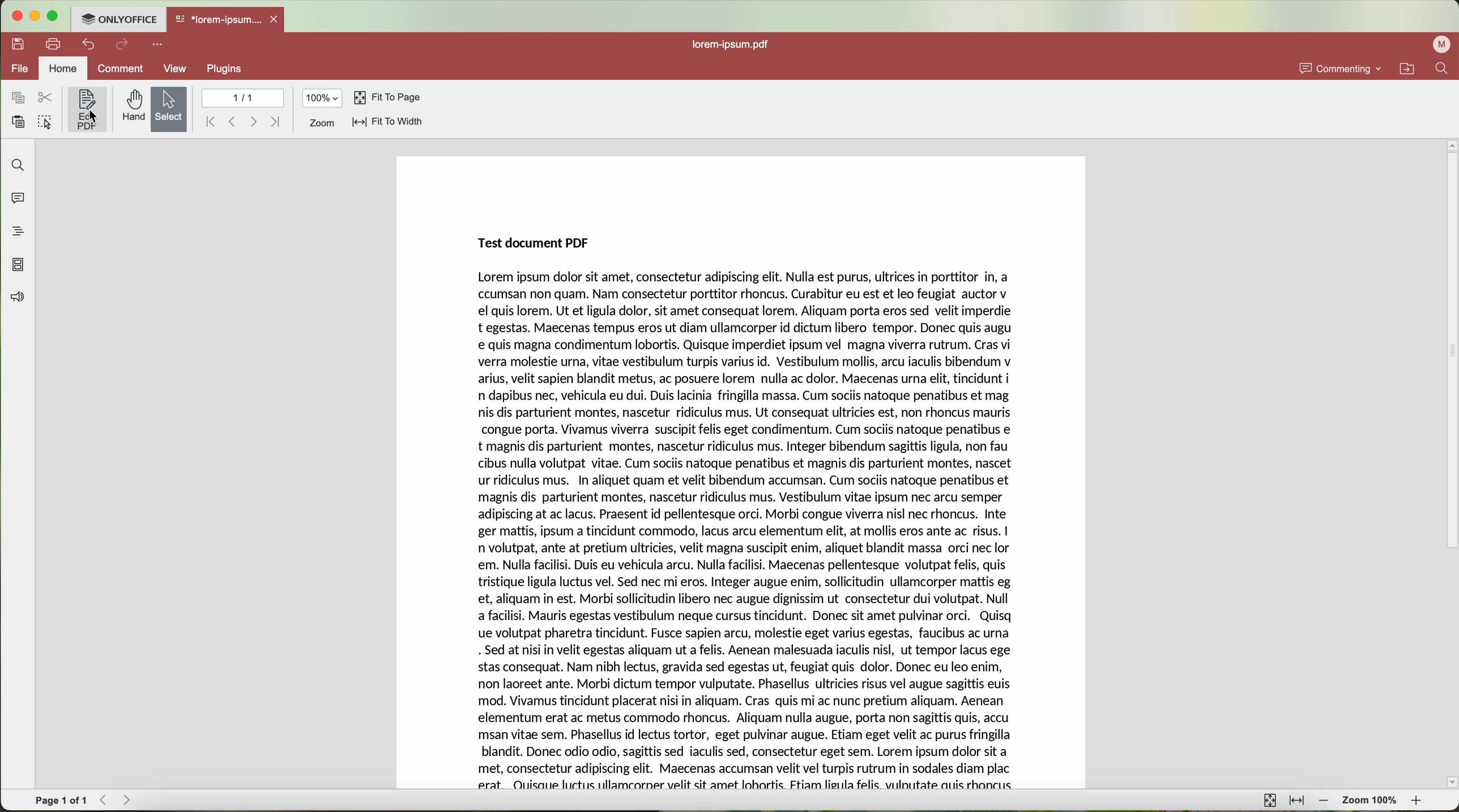 Image resolution: width=1459 pixels, height=812 pixels. I want to click on fit to width, so click(1296, 801).